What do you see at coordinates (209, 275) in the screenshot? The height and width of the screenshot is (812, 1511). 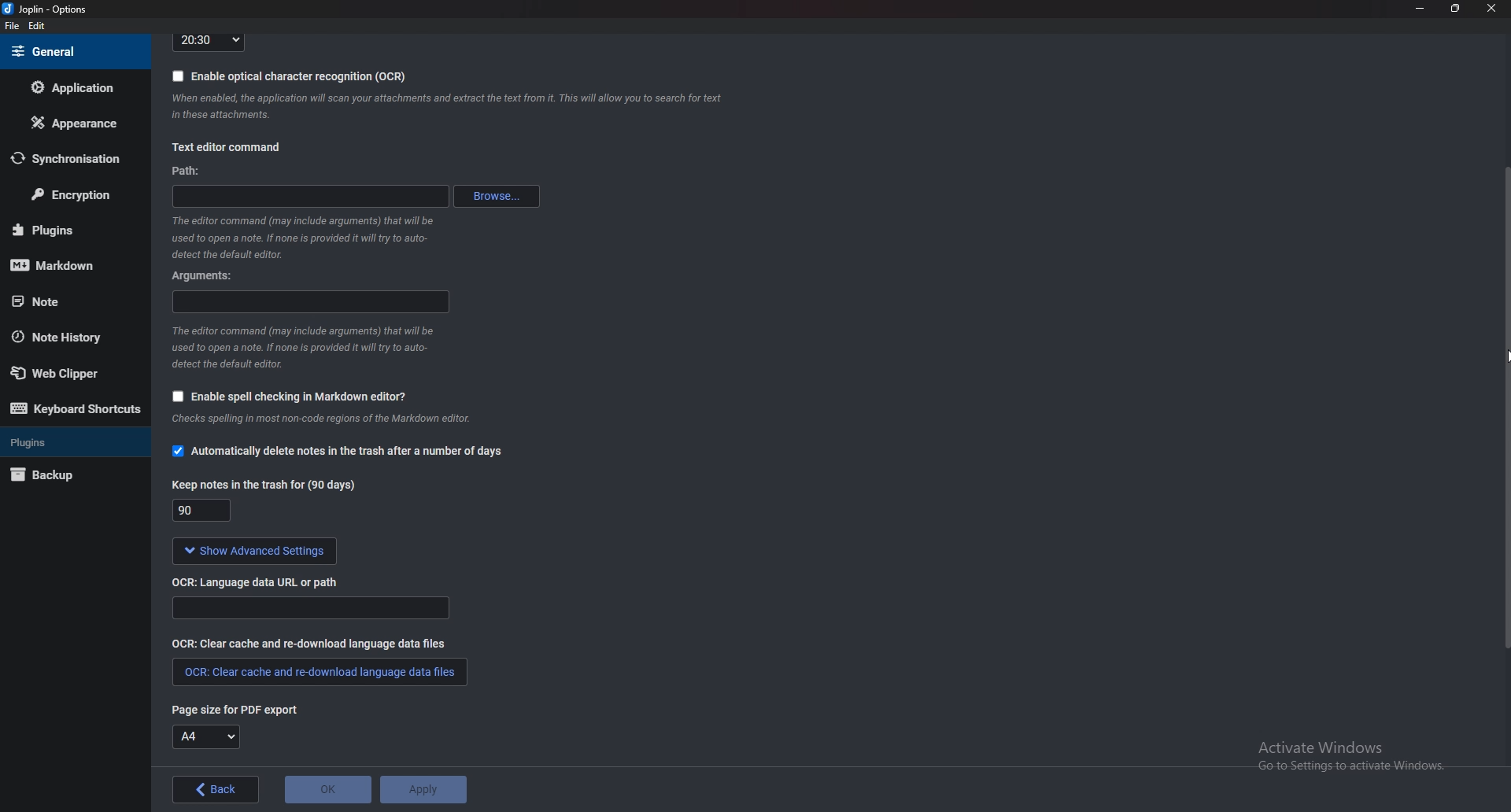 I see `Arguments` at bounding box center [209, 275].